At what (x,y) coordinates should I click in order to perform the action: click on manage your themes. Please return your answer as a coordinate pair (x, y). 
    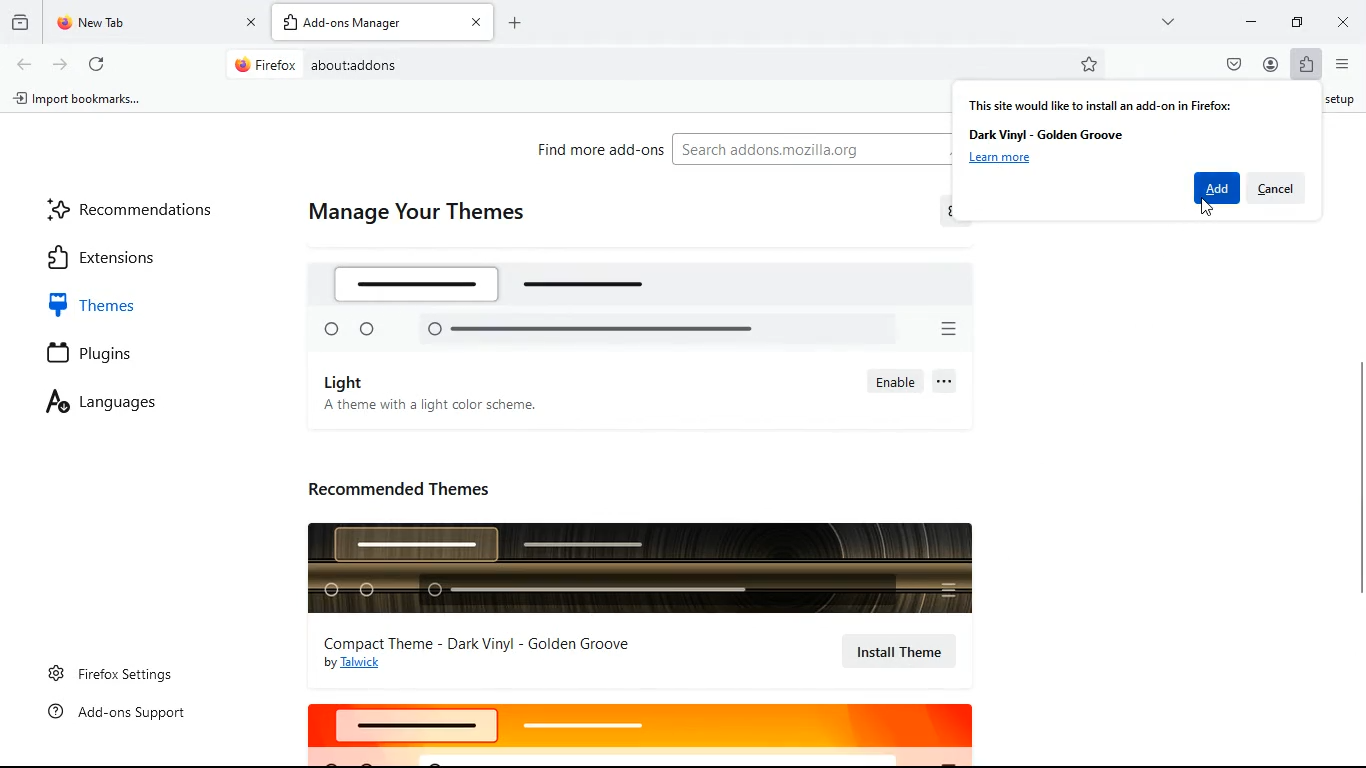
    Looking at the image, I should click on (416, 215).